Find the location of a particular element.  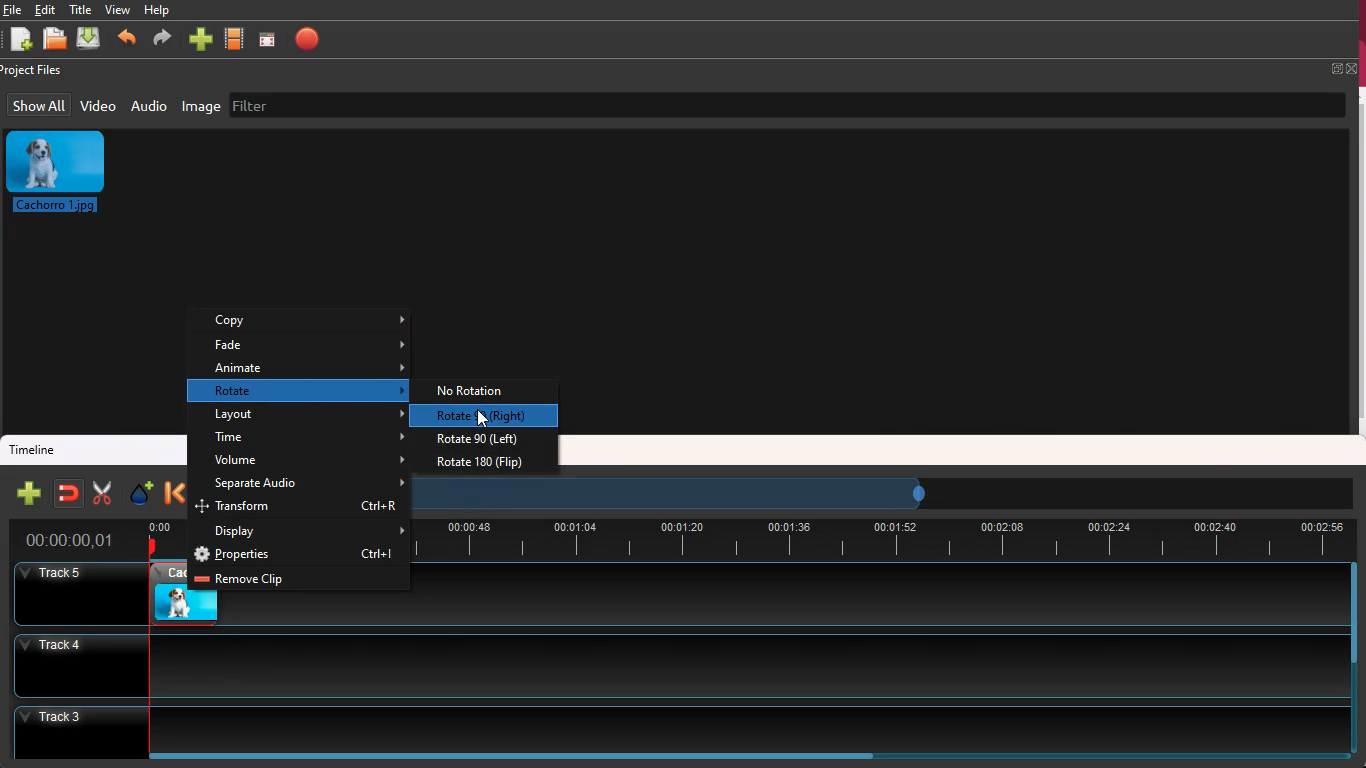

rotate 90 is located at coordinates (487, 440).